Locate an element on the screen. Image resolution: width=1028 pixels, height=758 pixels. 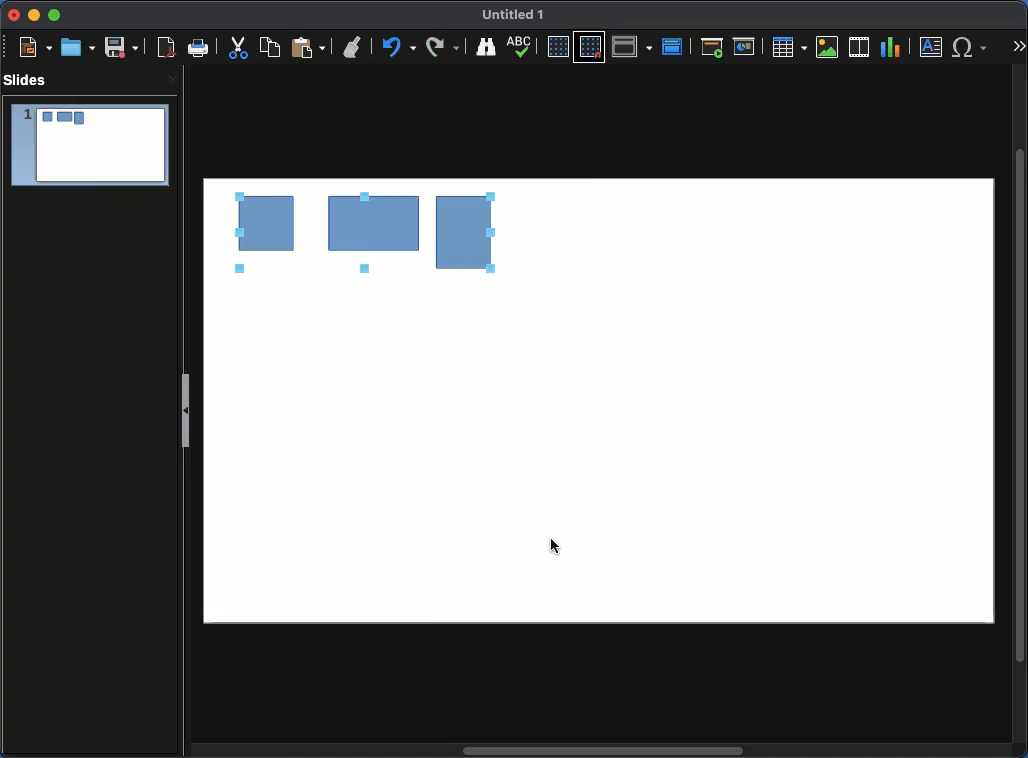
Export directly as PDF is located at coordinates (163, 48).